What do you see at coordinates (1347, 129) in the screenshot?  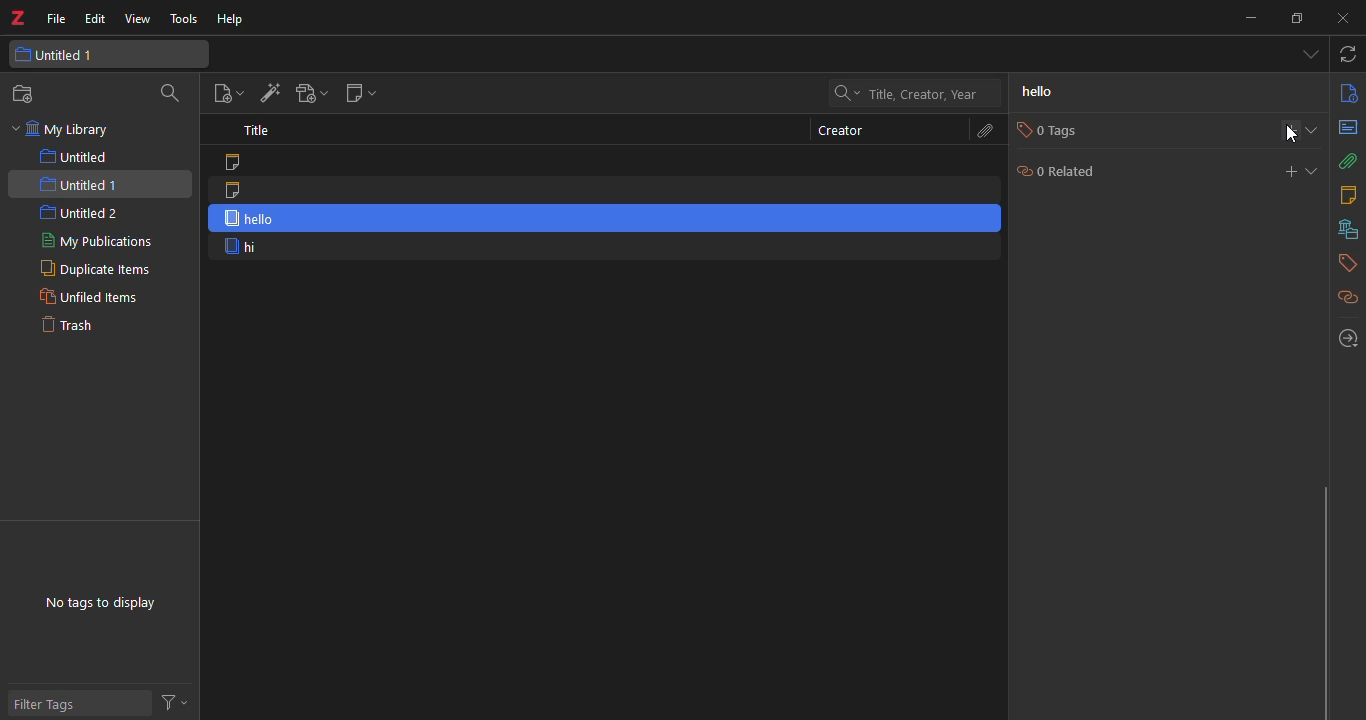 I see `abstract` at bounding box center [1347, 129].